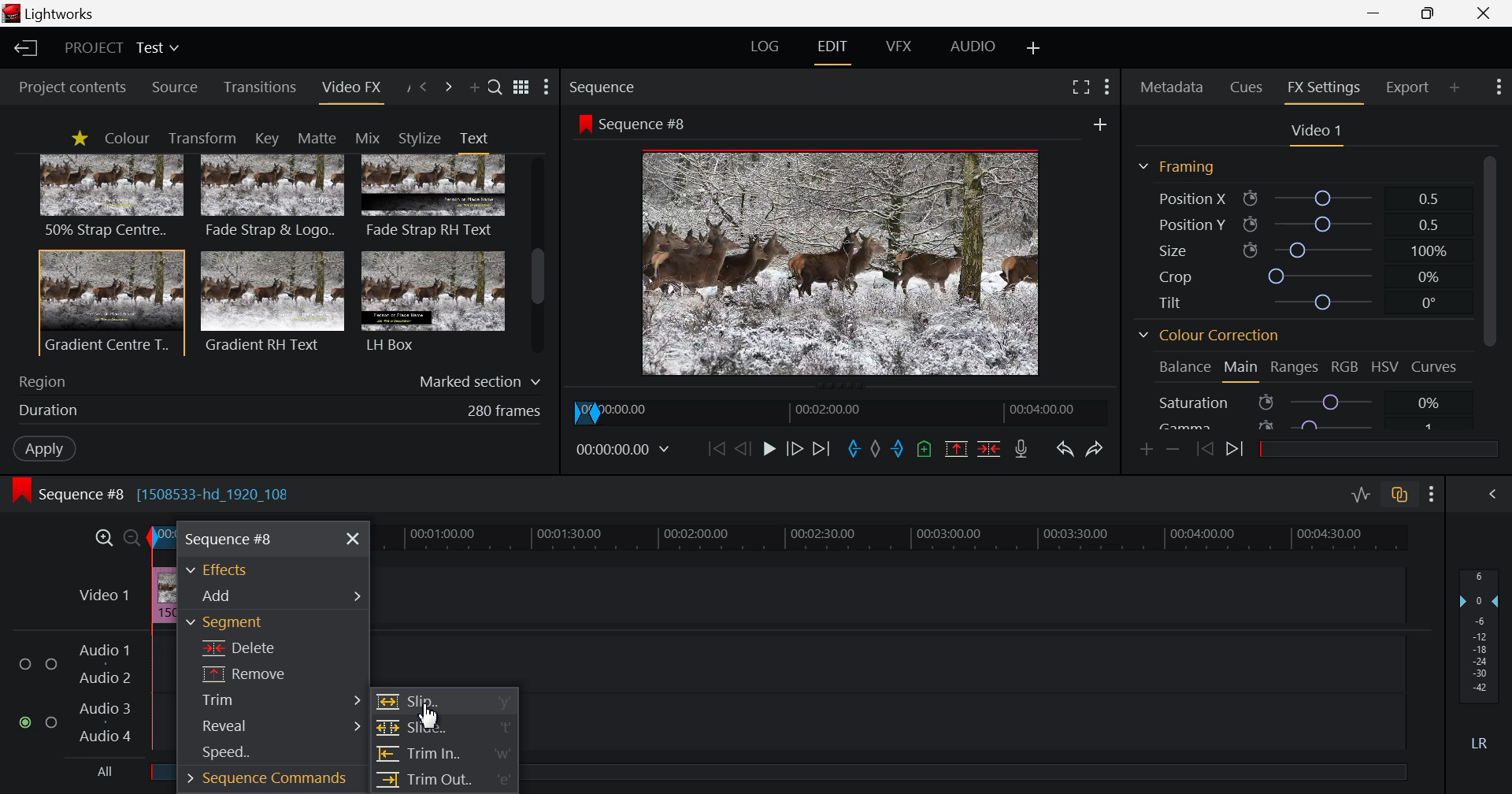 This screenshot has height=794, width=1512. Describe the element at coordinates (273, 198) in the screenshot. I see `Fade Strap & Logo` at that location.